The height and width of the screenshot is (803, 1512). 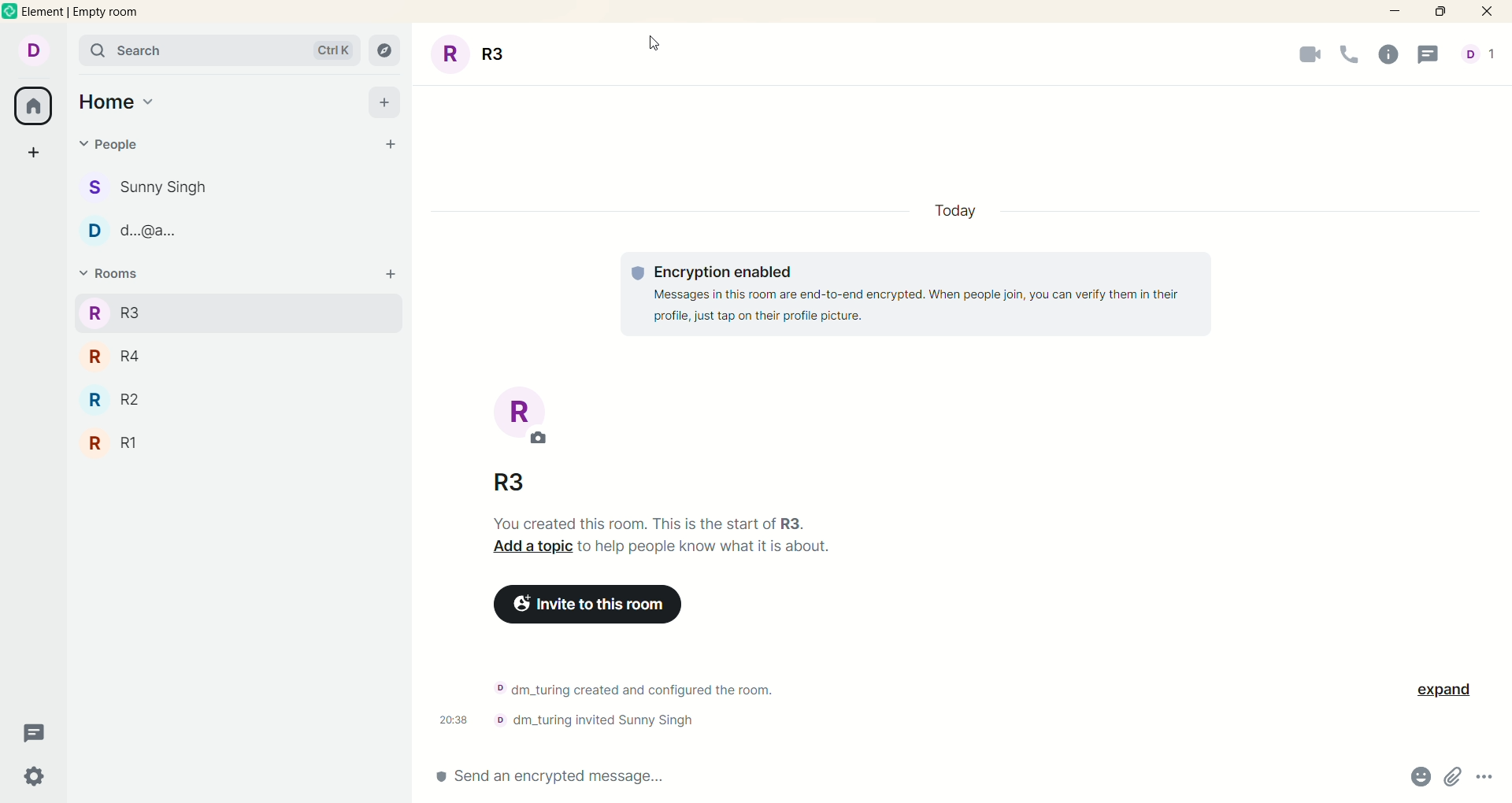 I want to click on emoji, so click(x=1414, y=778).